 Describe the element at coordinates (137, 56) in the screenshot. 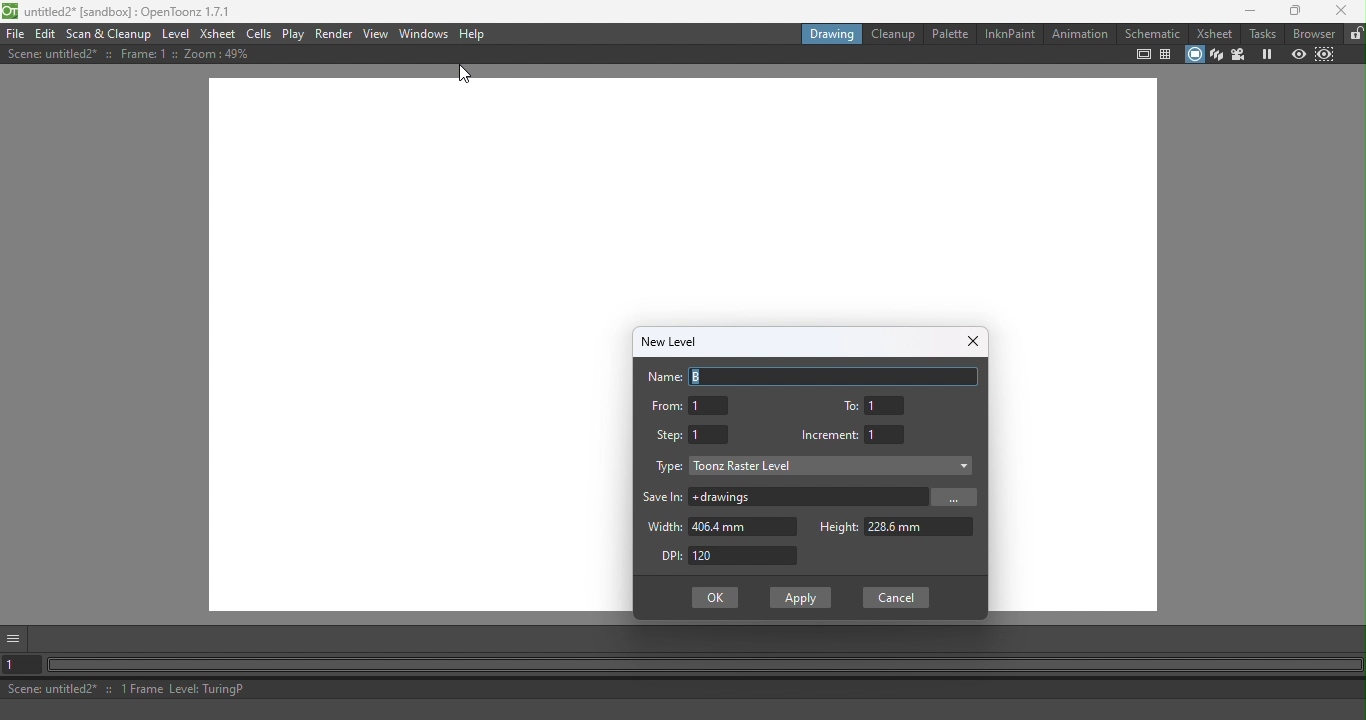

I see `Canvas details` at that location.